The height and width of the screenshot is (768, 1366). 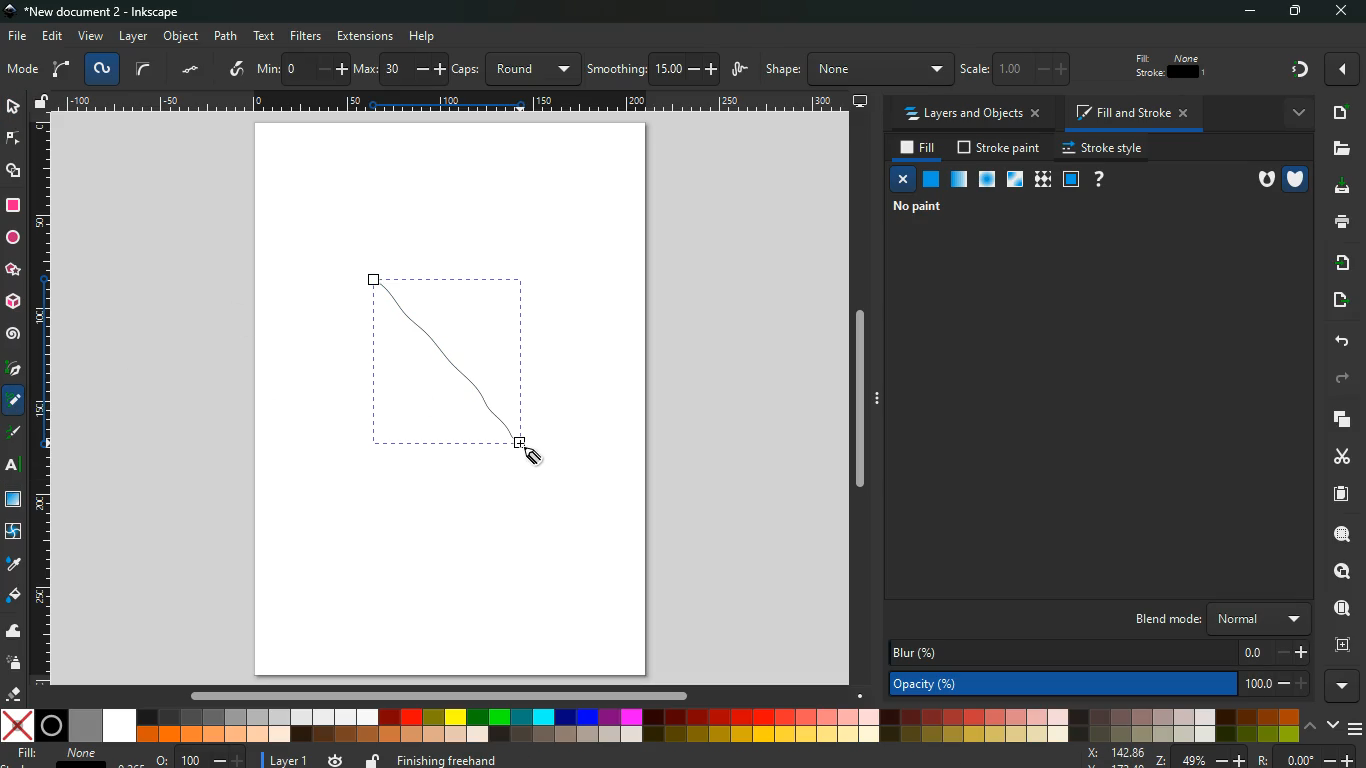 I want to click on Horizontal Page Margins, so click(x=41, y=402).